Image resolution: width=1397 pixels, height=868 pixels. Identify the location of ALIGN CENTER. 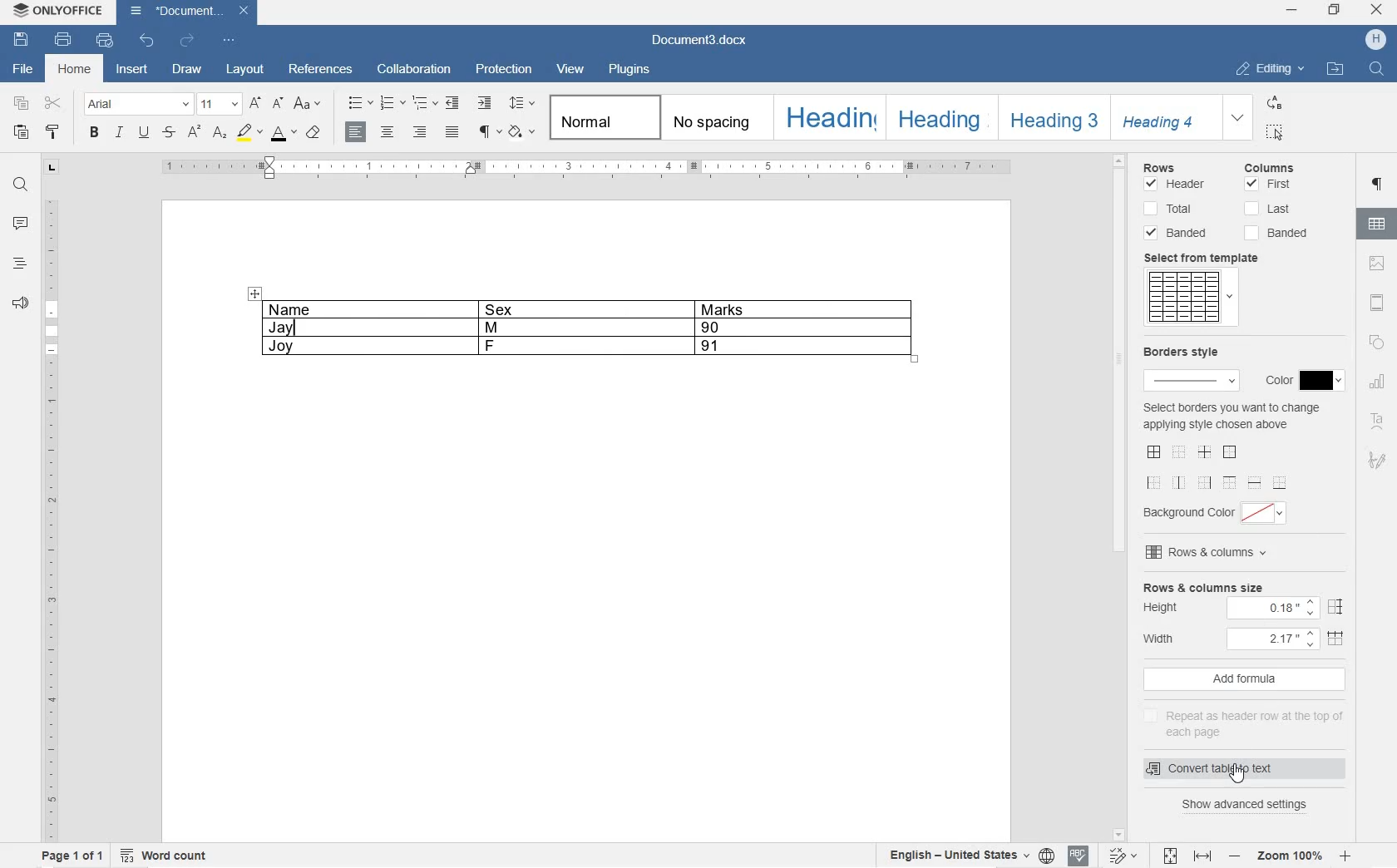
(388, 132).